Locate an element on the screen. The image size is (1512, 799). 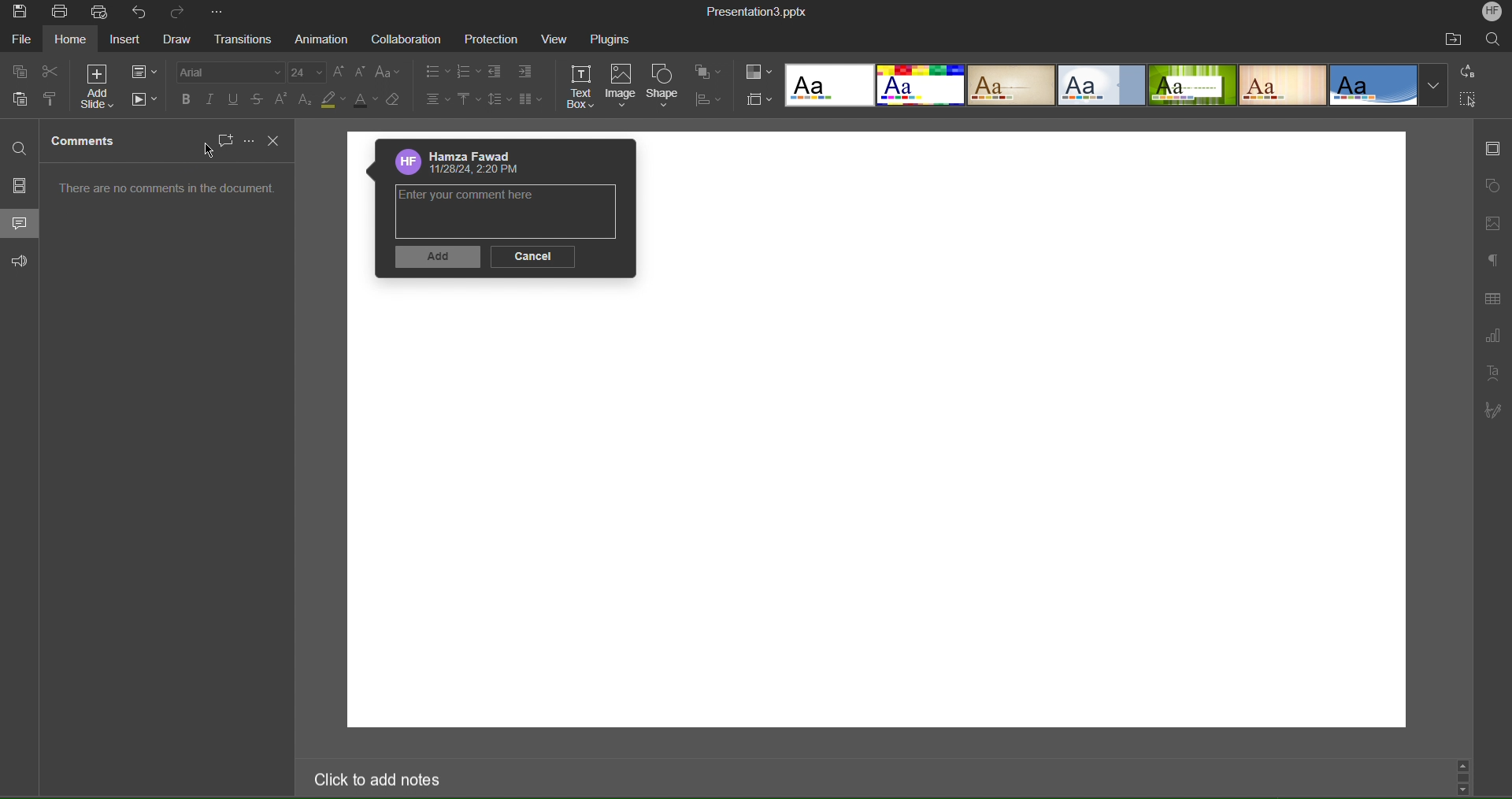
Distribute is located at coordinates (706, 100).